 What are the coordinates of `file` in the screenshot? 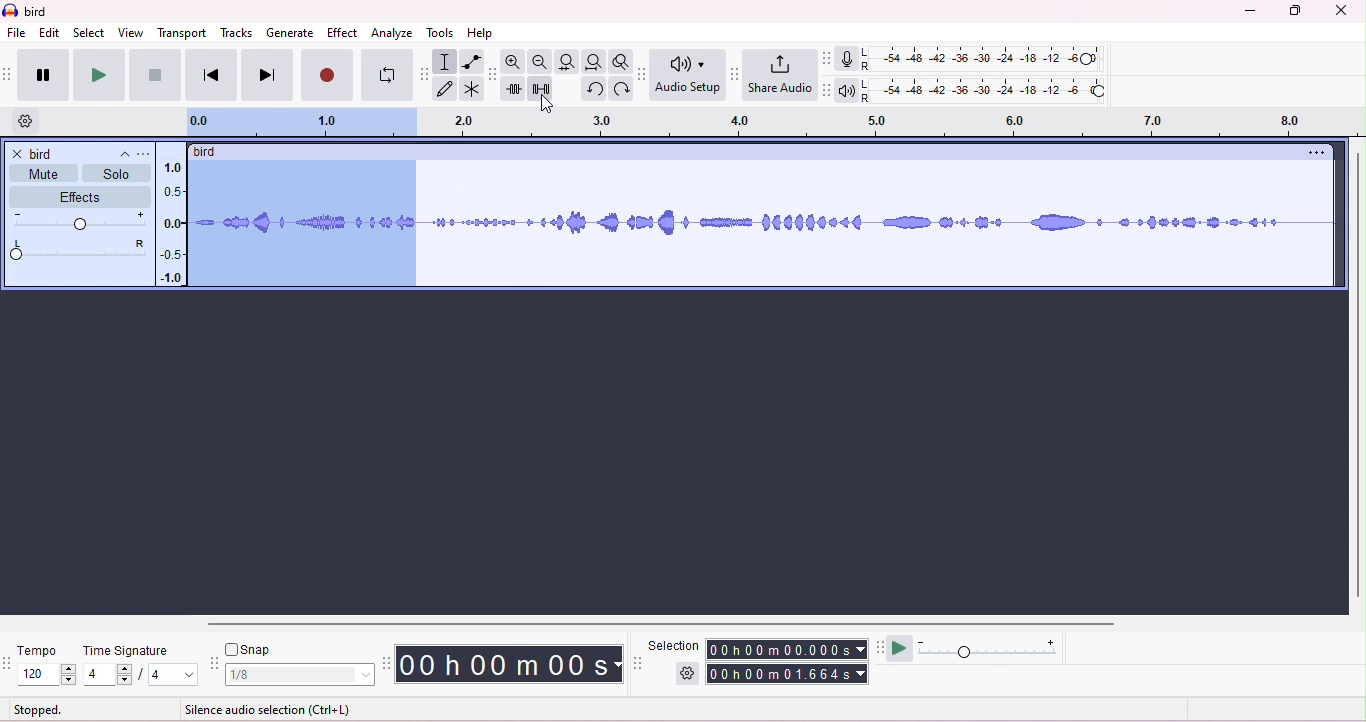 It's located at (16, 32).